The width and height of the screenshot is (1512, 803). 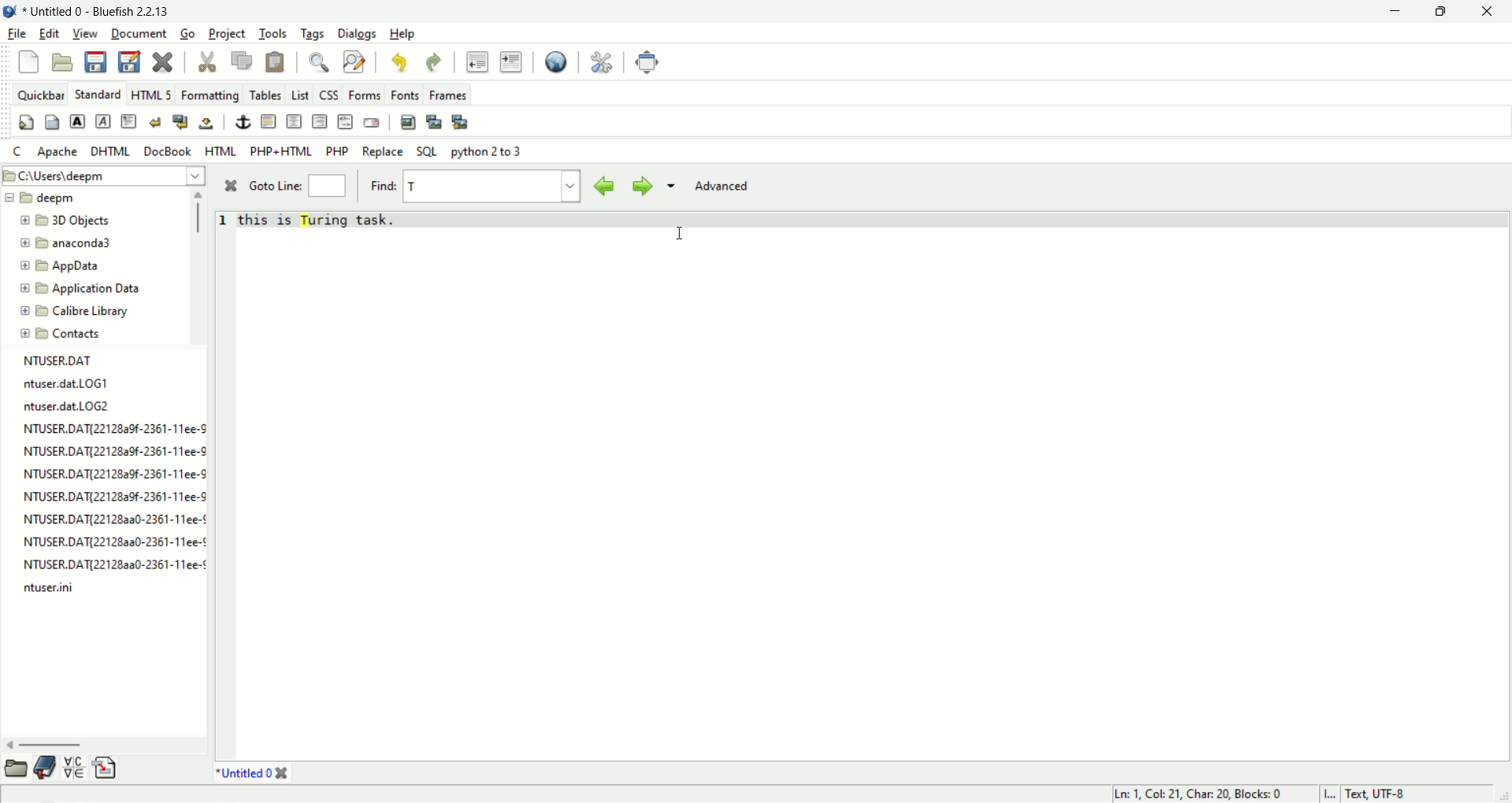 What do you see at coordinates (63, 63) in the screenshot?
I see `open file` at bounding box center [63, 63].